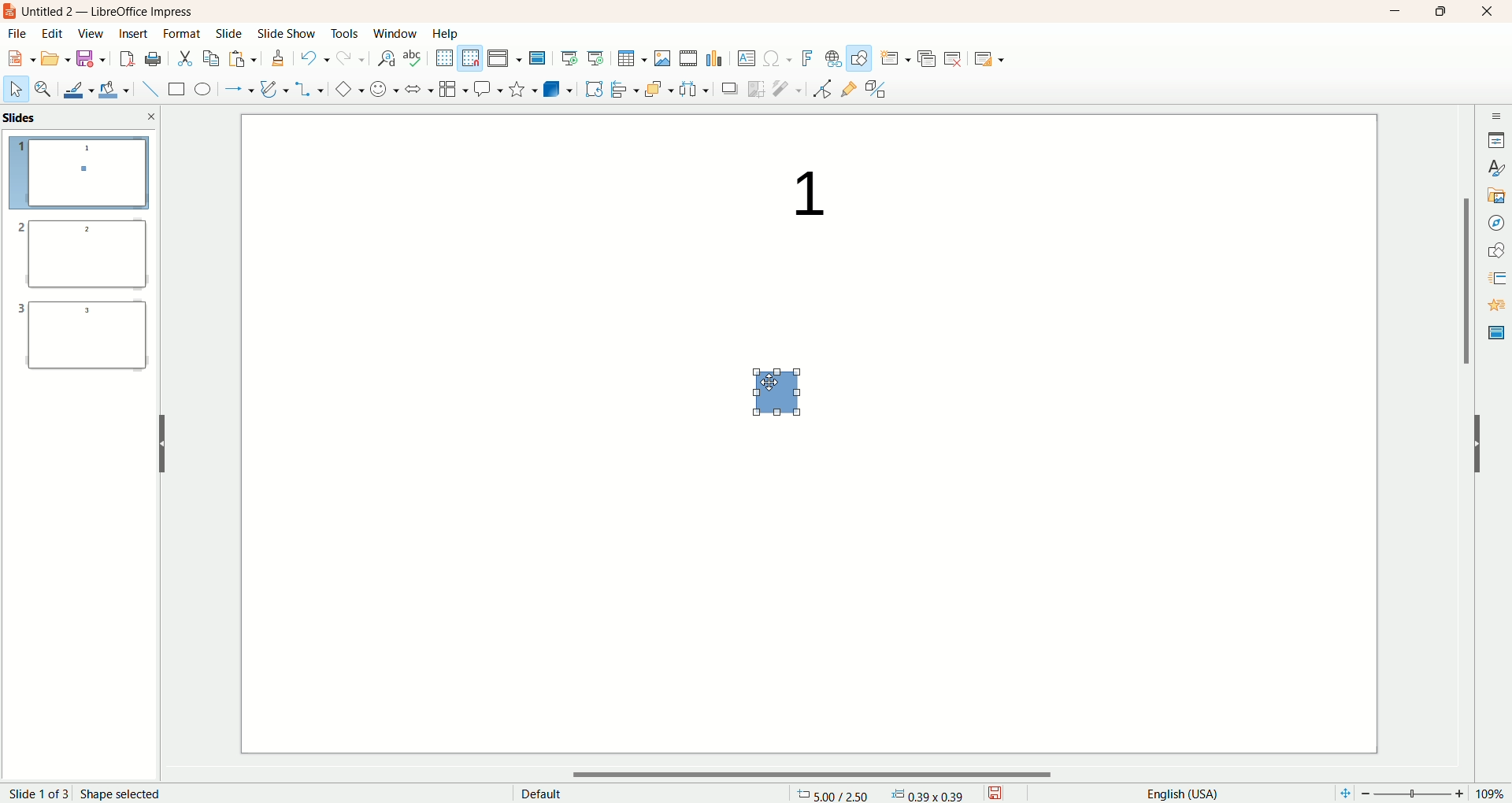 The image size is (1512, 803). What do you see at coordinates (472, 58) in the screenshot?
I see `snap to grid` at bounding box center [472, 58].